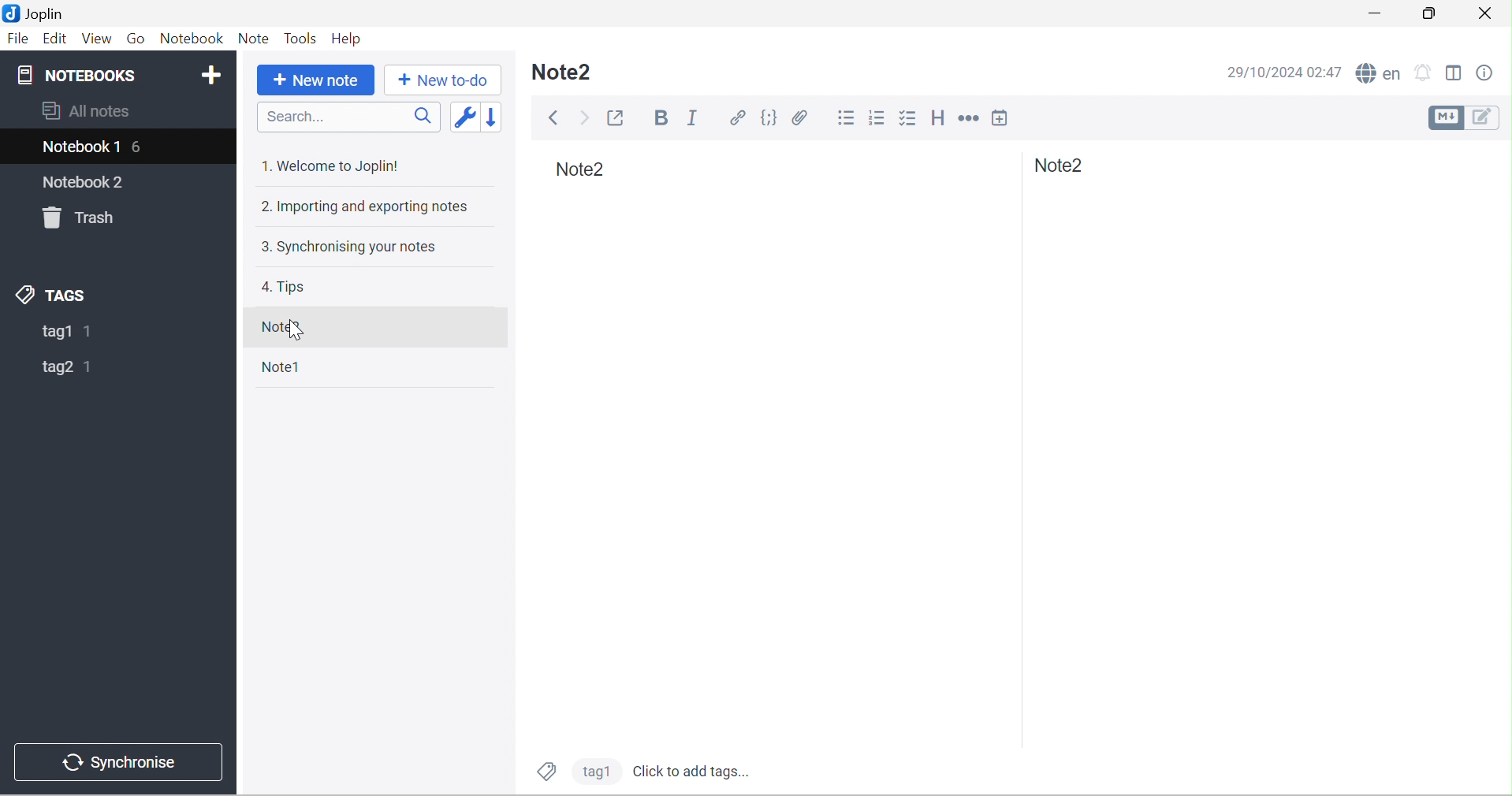 This screenshot has width=1512, height=796. What do you see at coordinates (141, 147) in the screenshot?
I see `6` at bounding box center [141, 147].